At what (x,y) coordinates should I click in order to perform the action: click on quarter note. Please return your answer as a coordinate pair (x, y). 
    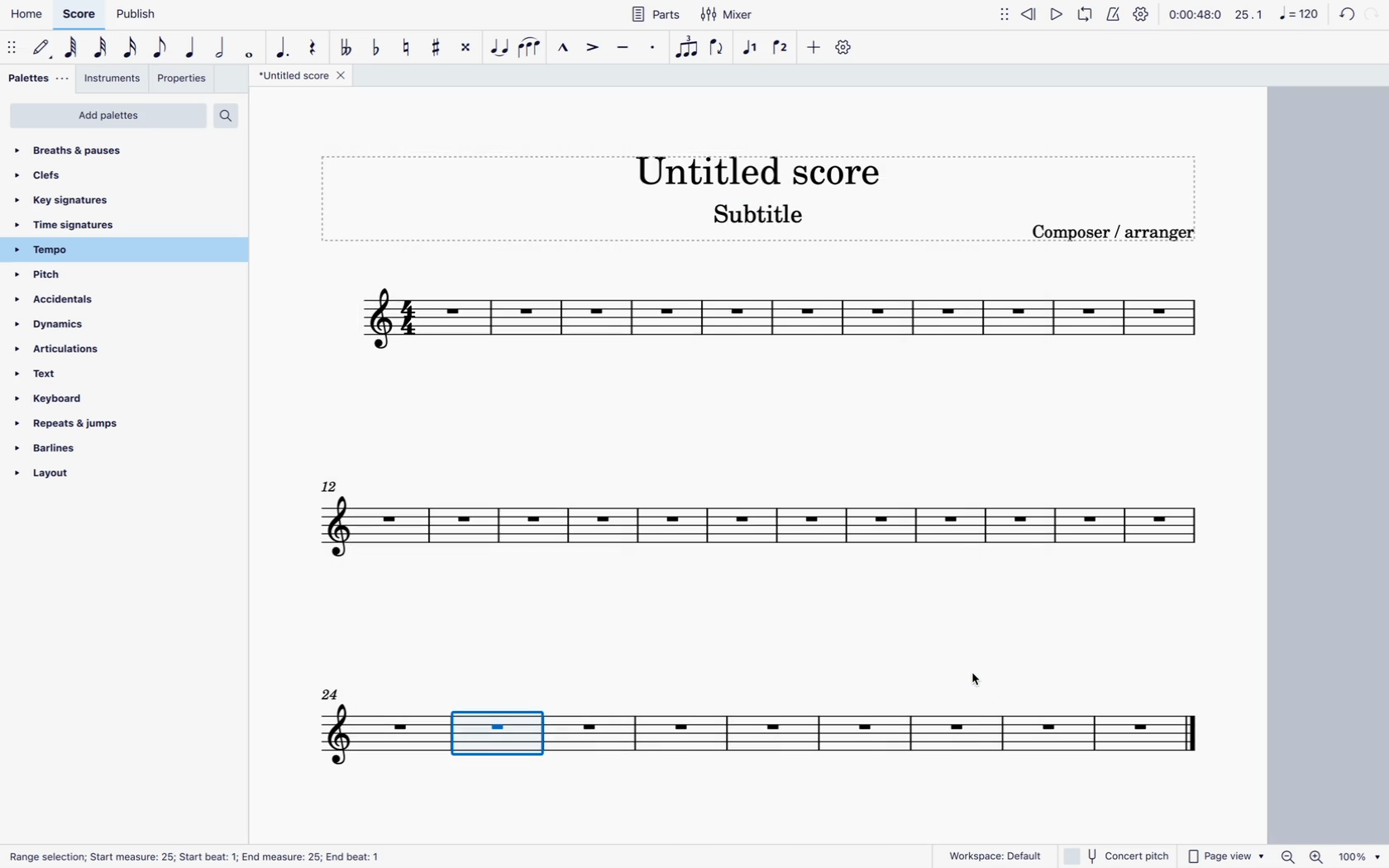
    Looking at the image, I should click on (192, 48).